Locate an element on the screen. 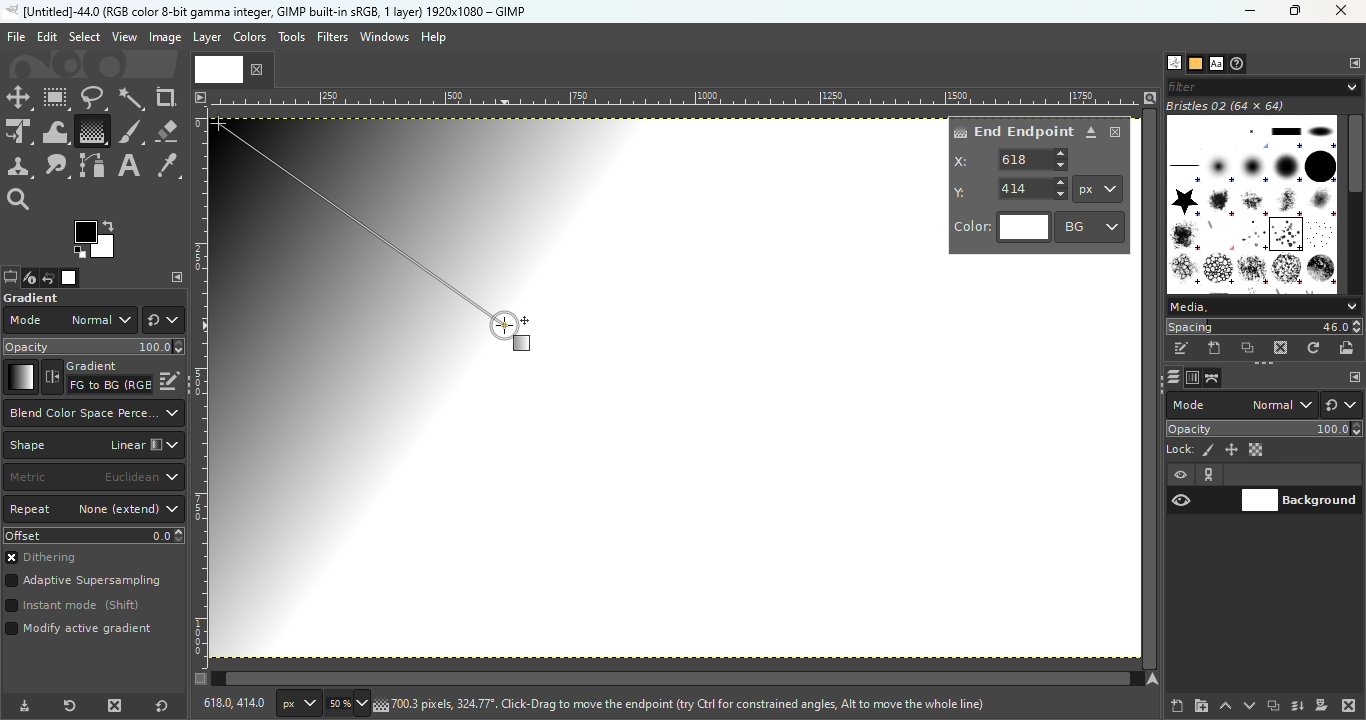  Open the document history dialog is located at coordinates (1239, 64).